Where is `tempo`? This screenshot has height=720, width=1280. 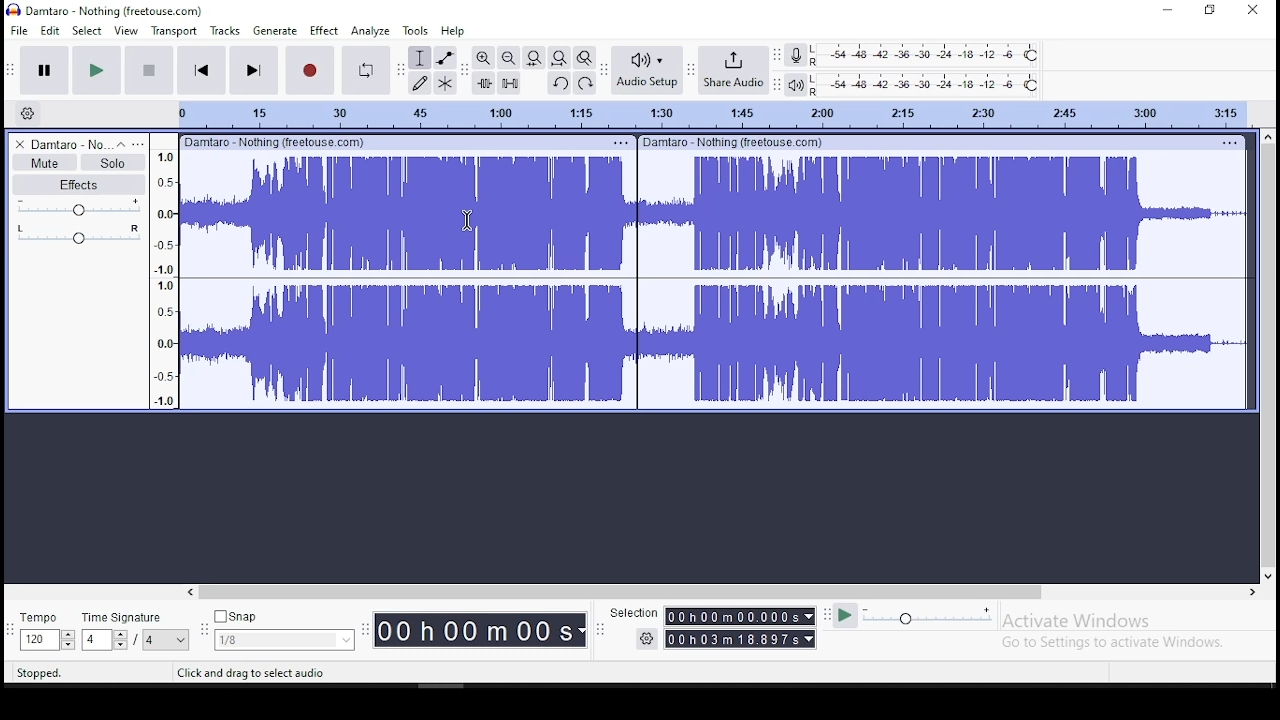
tempo is located at coordinates (39, 617).